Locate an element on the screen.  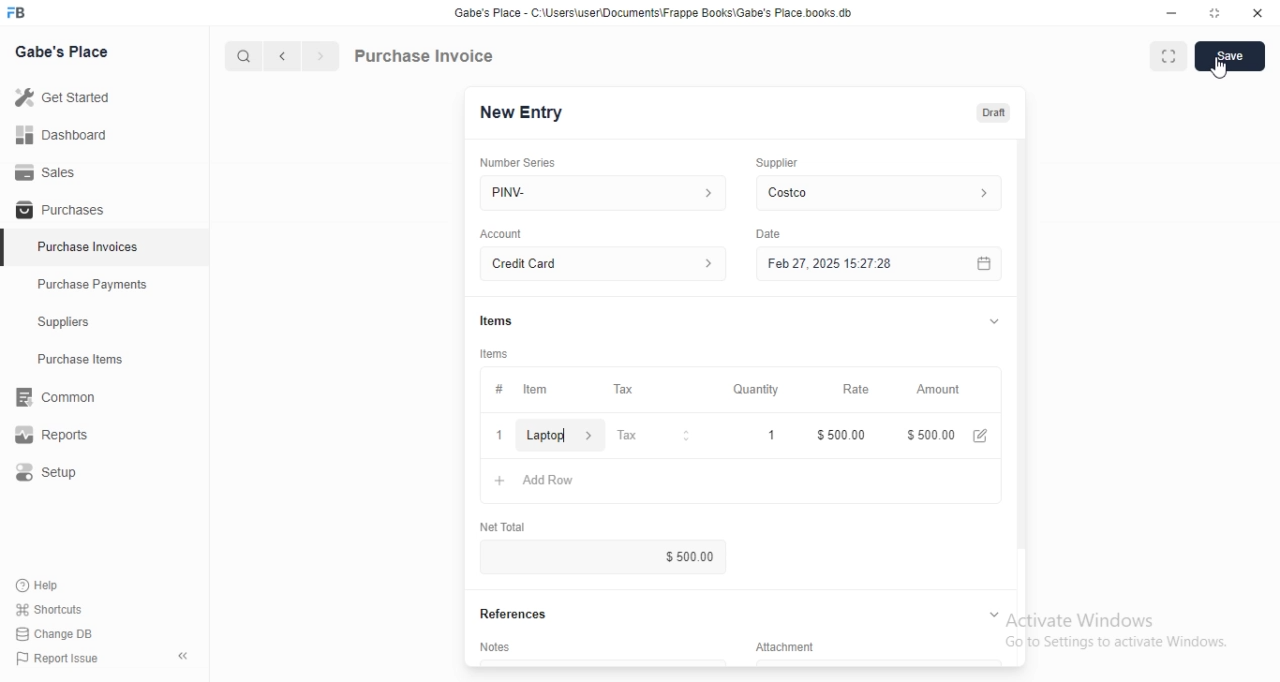
Change dimension is located at coordinates (1215, 13).